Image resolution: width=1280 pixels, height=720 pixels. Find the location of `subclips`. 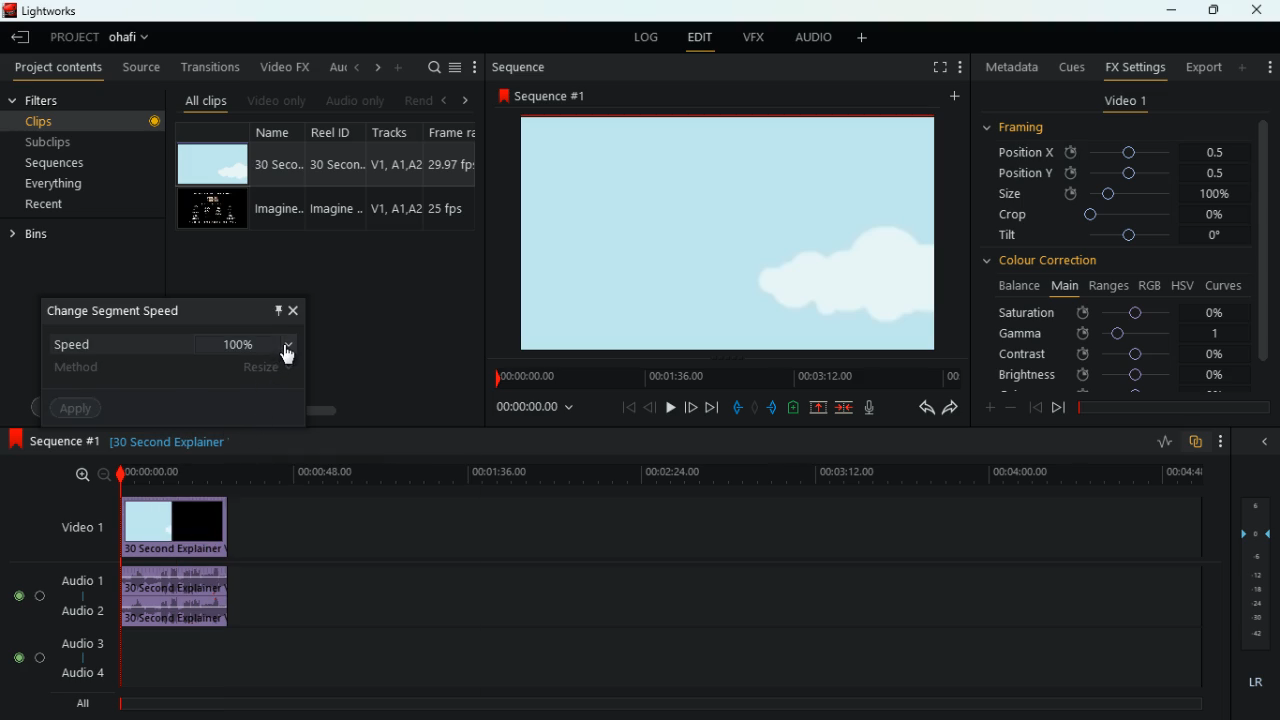

subclips is located at coordinates (78, 140).